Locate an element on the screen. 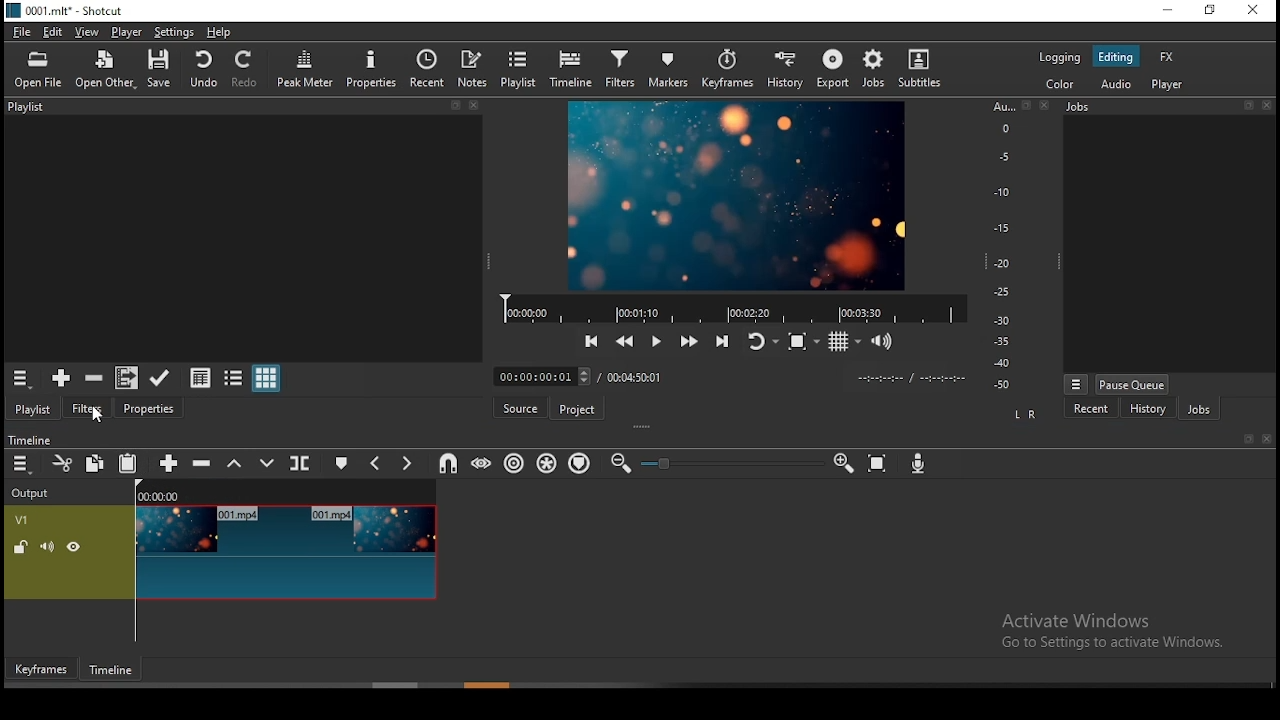  recent is located at coordinates (428, 68).